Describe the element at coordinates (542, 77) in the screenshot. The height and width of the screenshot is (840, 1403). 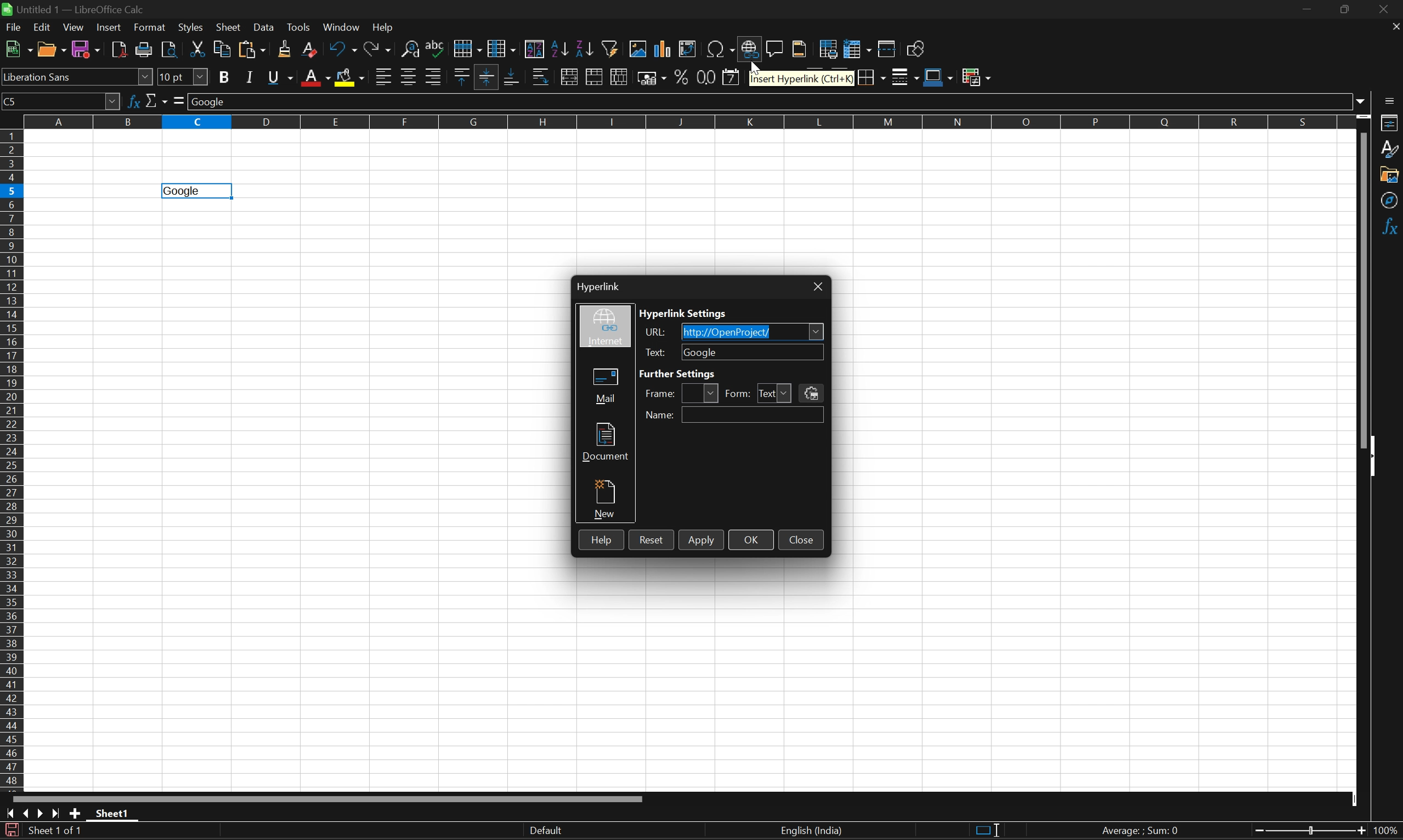
I see `Wrap text` at that location.